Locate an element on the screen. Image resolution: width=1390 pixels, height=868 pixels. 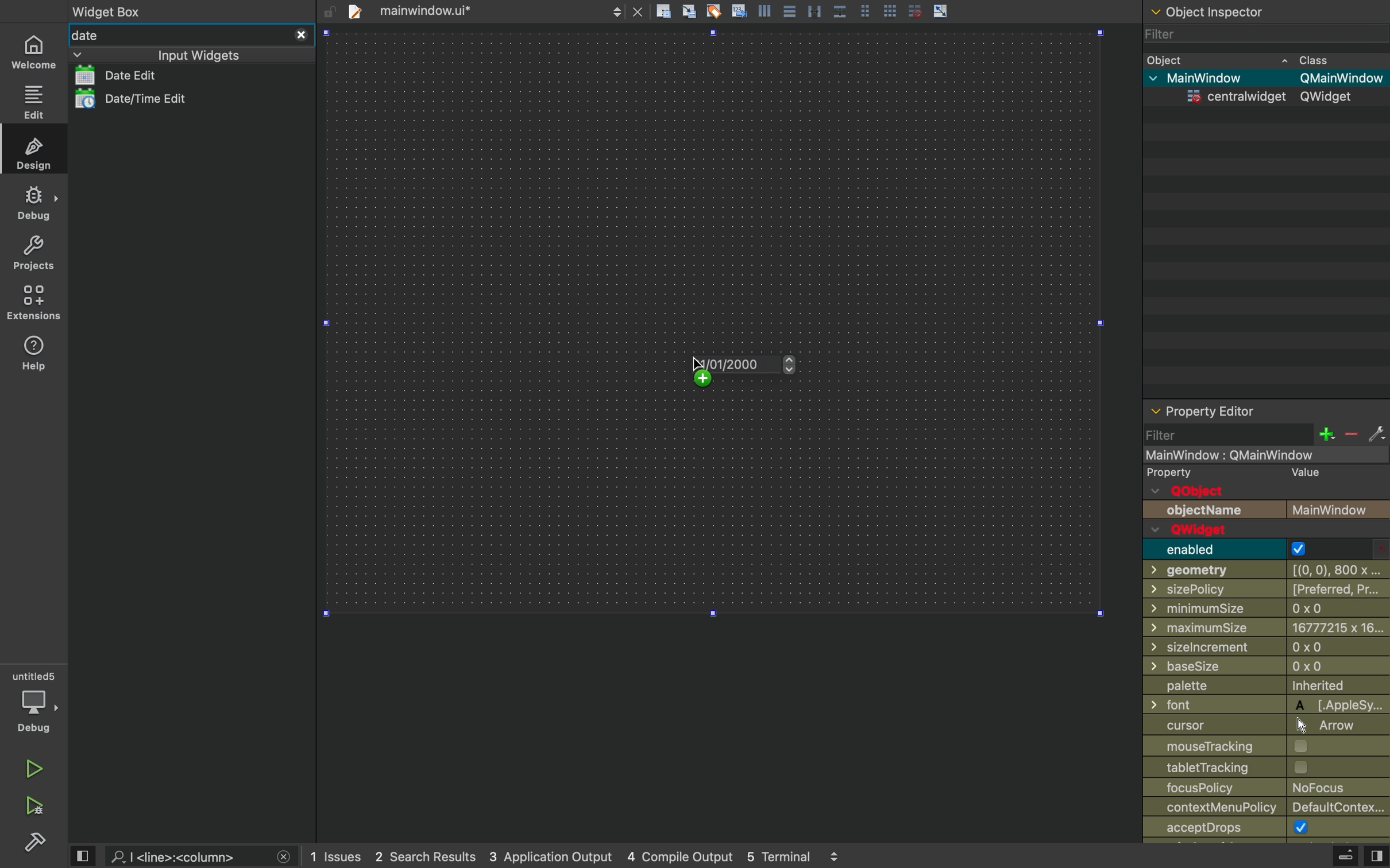
geometry is located at coordinates (1268, 571).